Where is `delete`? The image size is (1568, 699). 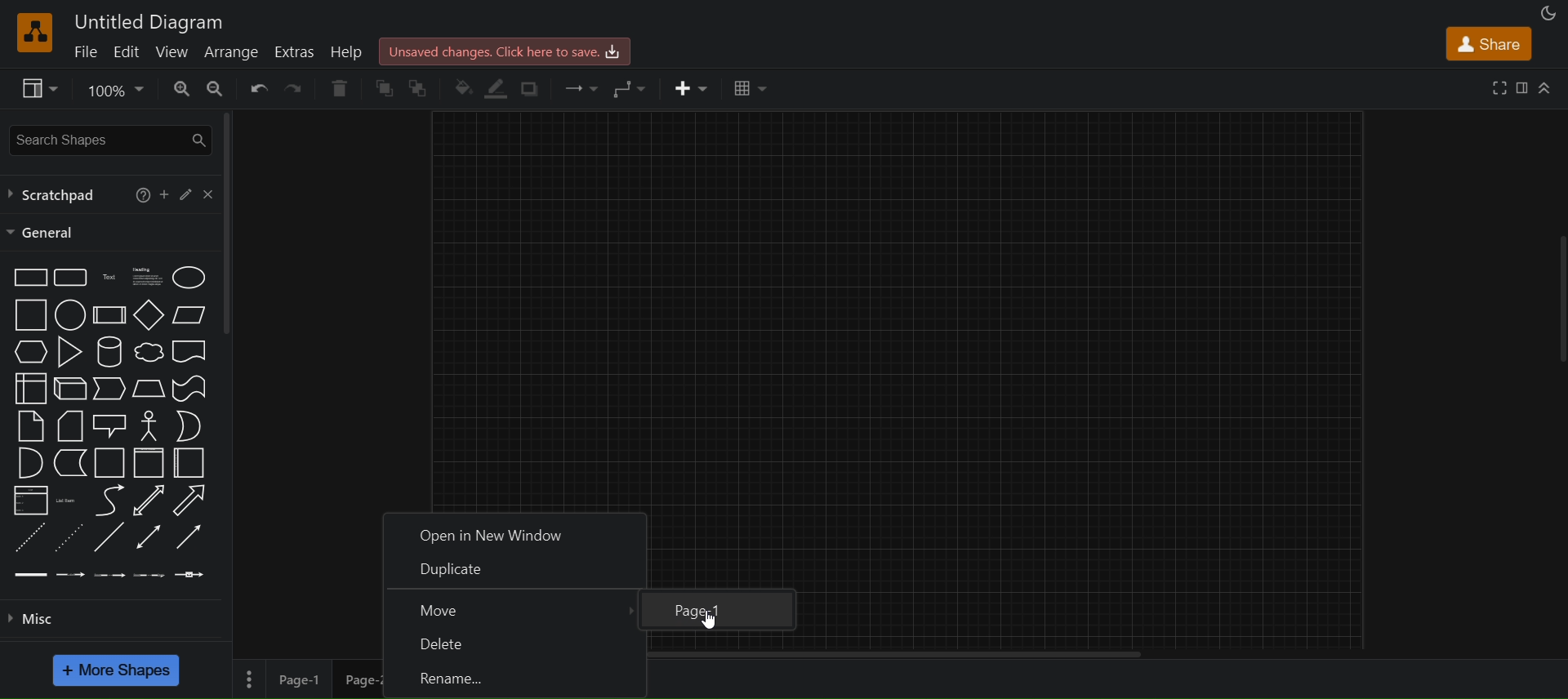
delete is located at coordinates (338, 88).